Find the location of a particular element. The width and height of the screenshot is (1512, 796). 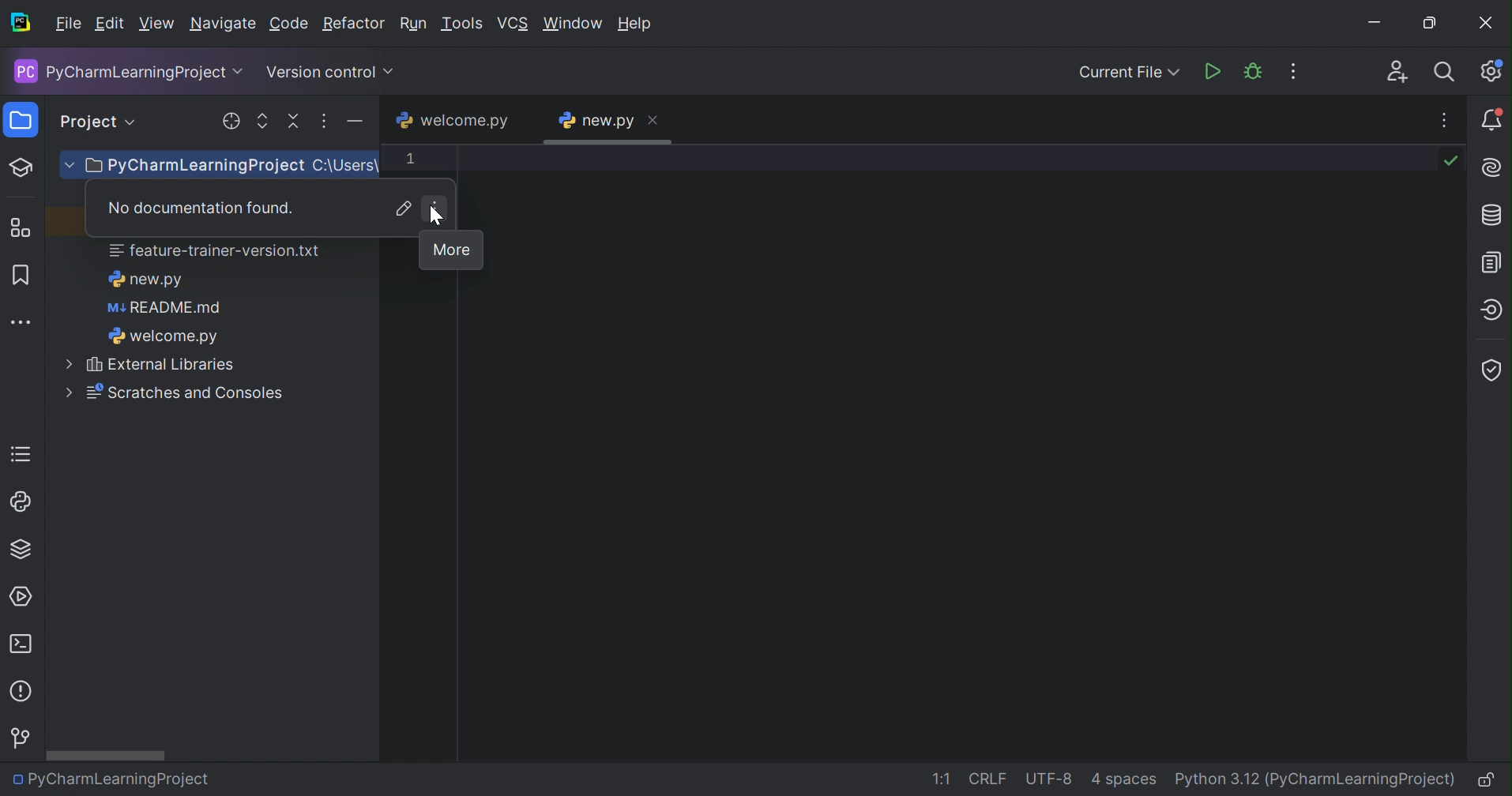

cursor is located at coordinates (442, 220).